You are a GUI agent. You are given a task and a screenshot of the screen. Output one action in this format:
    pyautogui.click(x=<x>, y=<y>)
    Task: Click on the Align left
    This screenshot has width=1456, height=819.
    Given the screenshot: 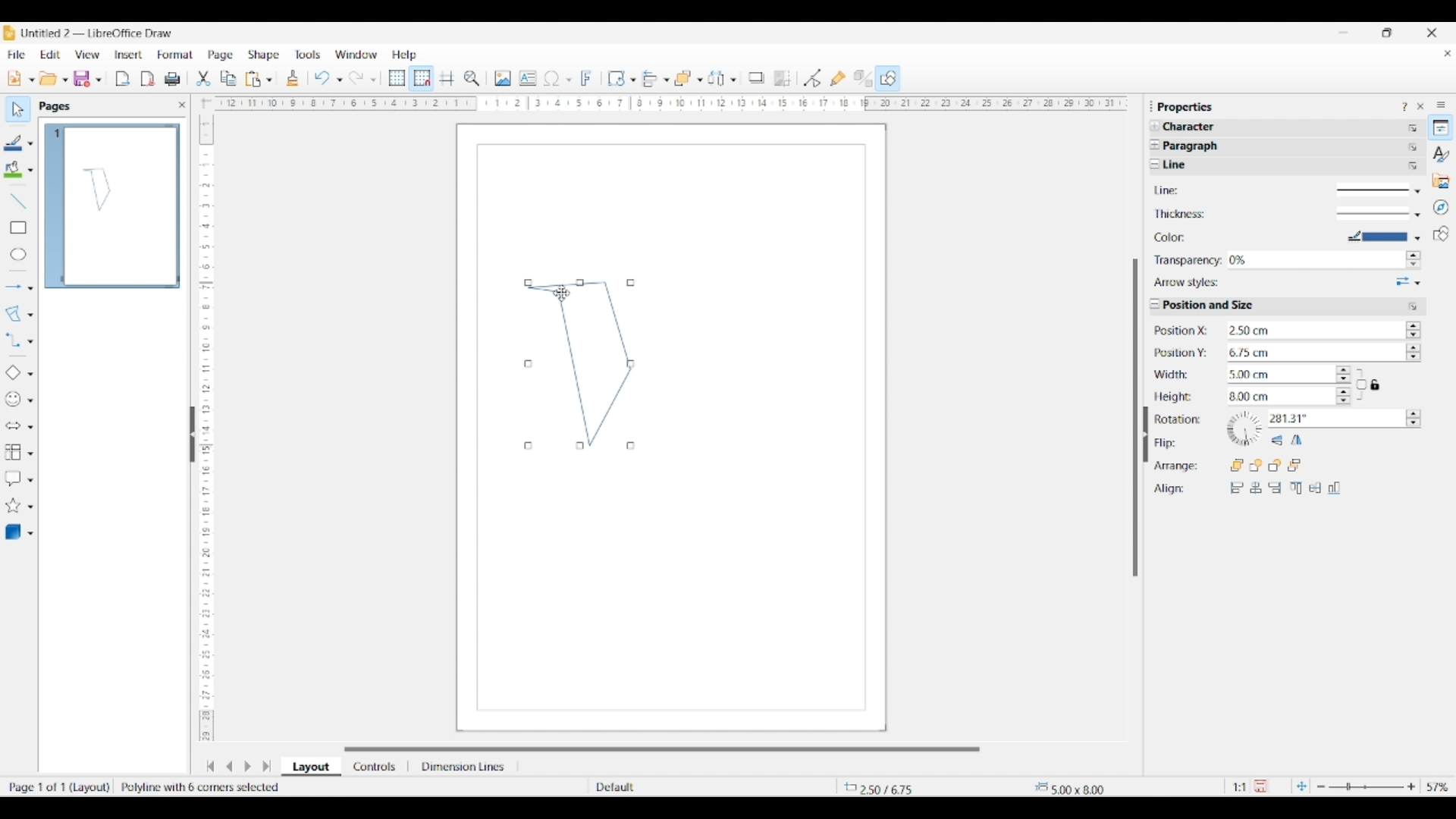 What is the action you would take?
    pyautogui.click(x=1237, y=488)
    